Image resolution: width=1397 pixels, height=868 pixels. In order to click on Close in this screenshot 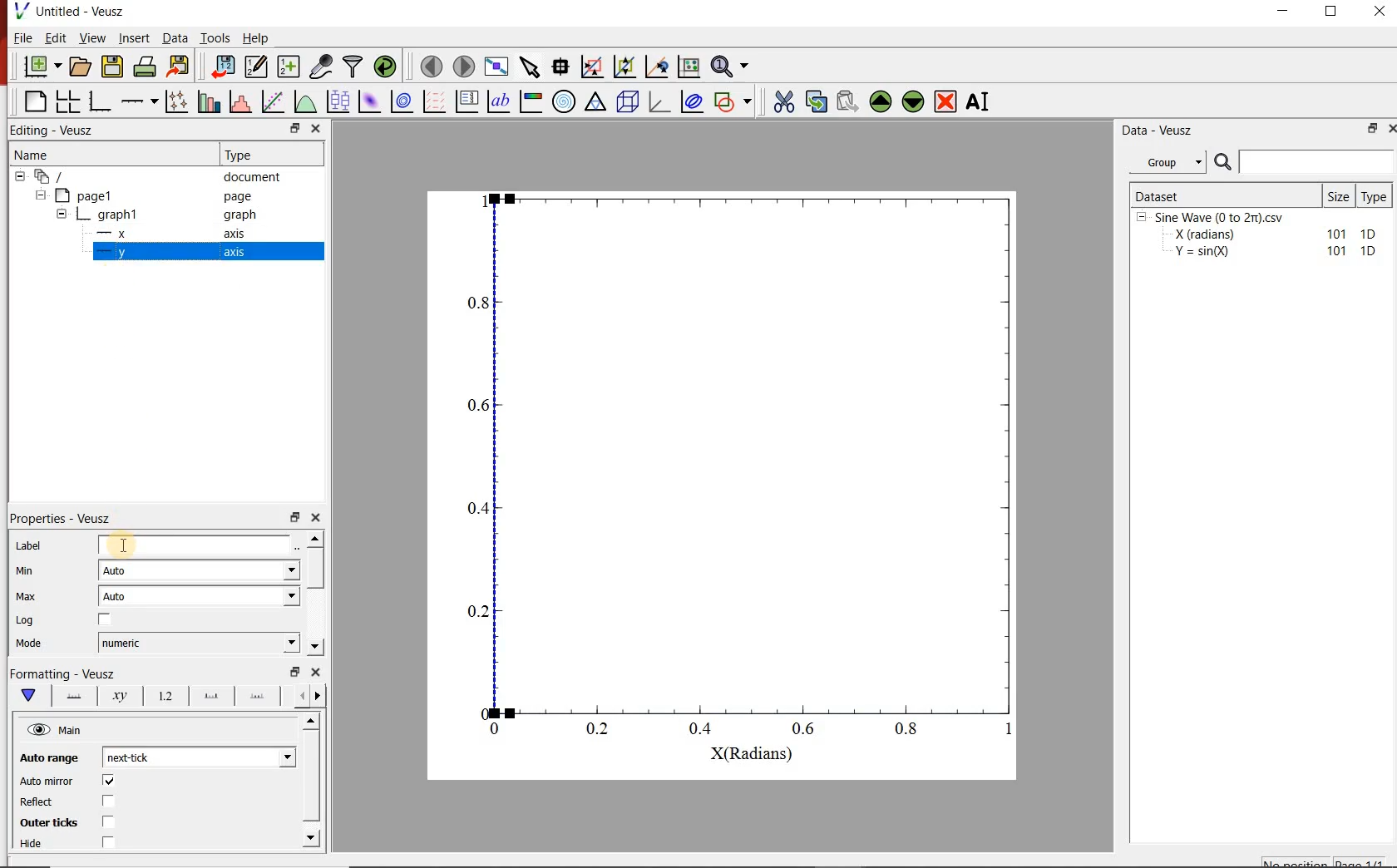, I will do `click(317, 515)`.